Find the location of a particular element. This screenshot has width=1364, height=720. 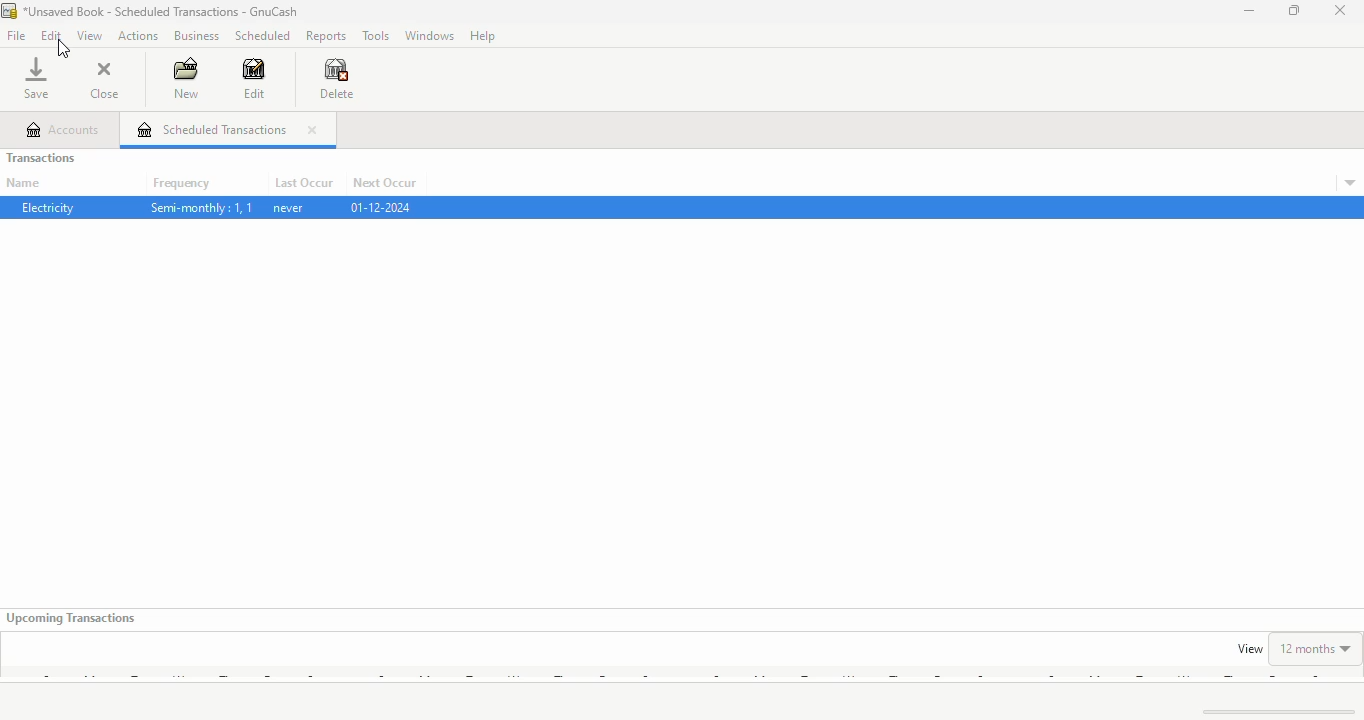

actions is located at coordinates (138, 36).